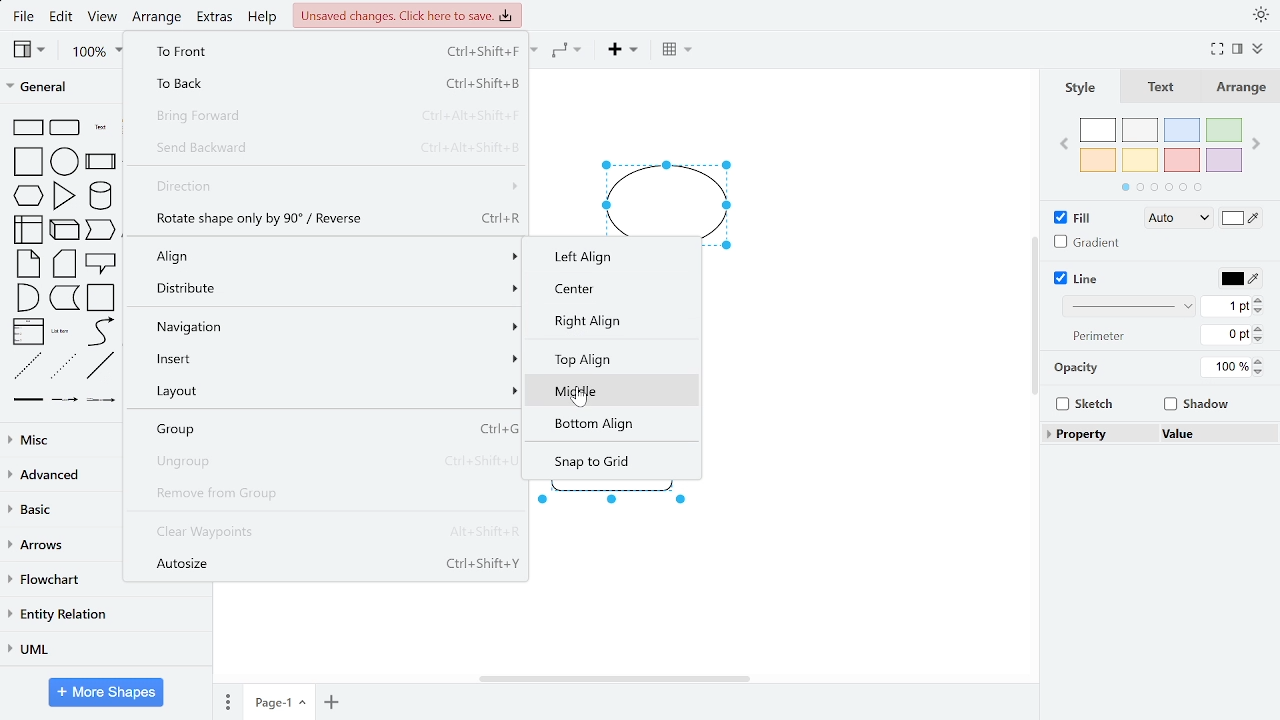 The height and width of the screenshot is (720, 1280). Describe the element at coordinates (279, 701) in the screenshot. I see `Page-1` at that location.